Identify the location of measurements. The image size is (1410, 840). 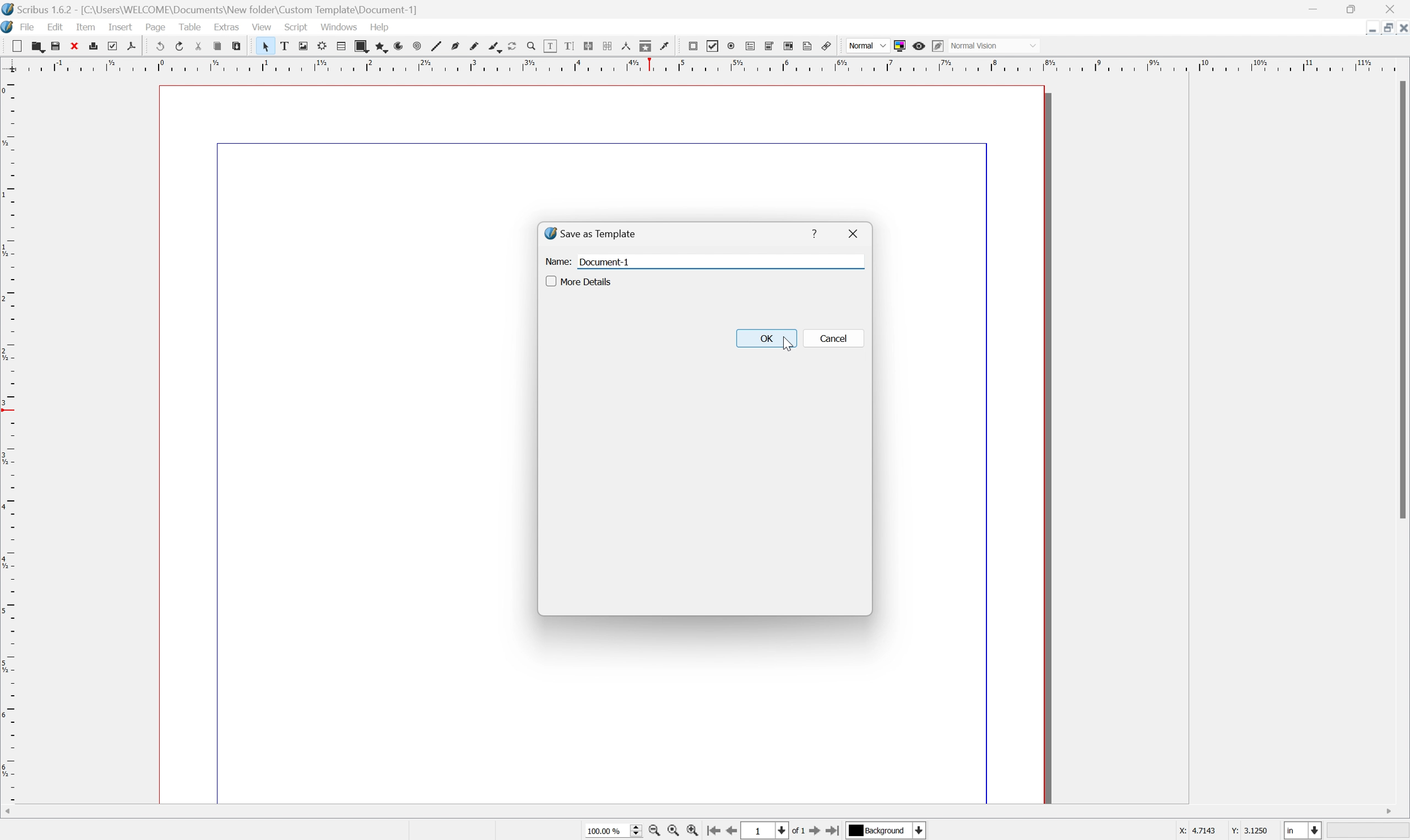
(626, 46).